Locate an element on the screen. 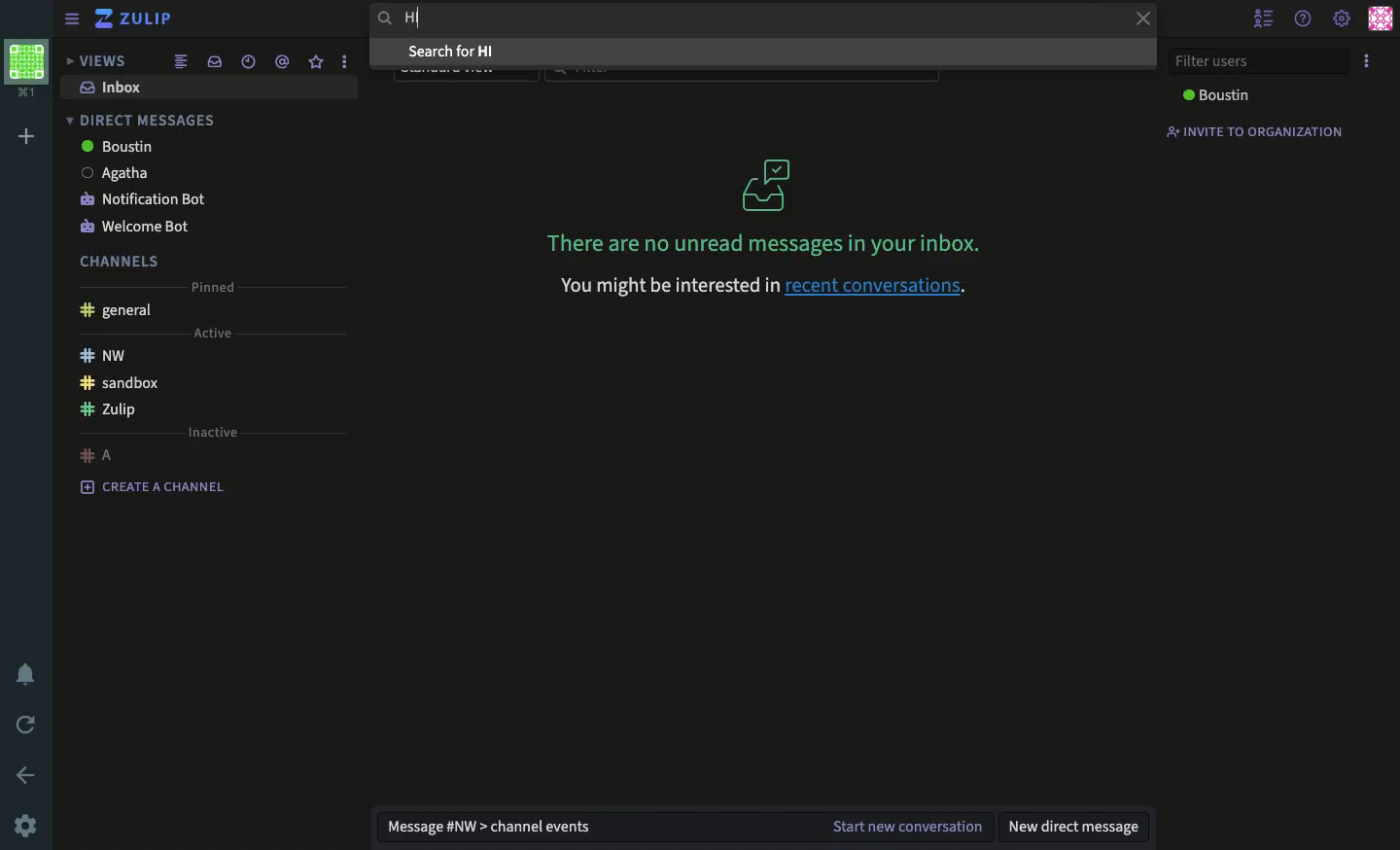 The height and width of the screenshot is (850, 1400). workspace profile is located at coordinates (25, 67).